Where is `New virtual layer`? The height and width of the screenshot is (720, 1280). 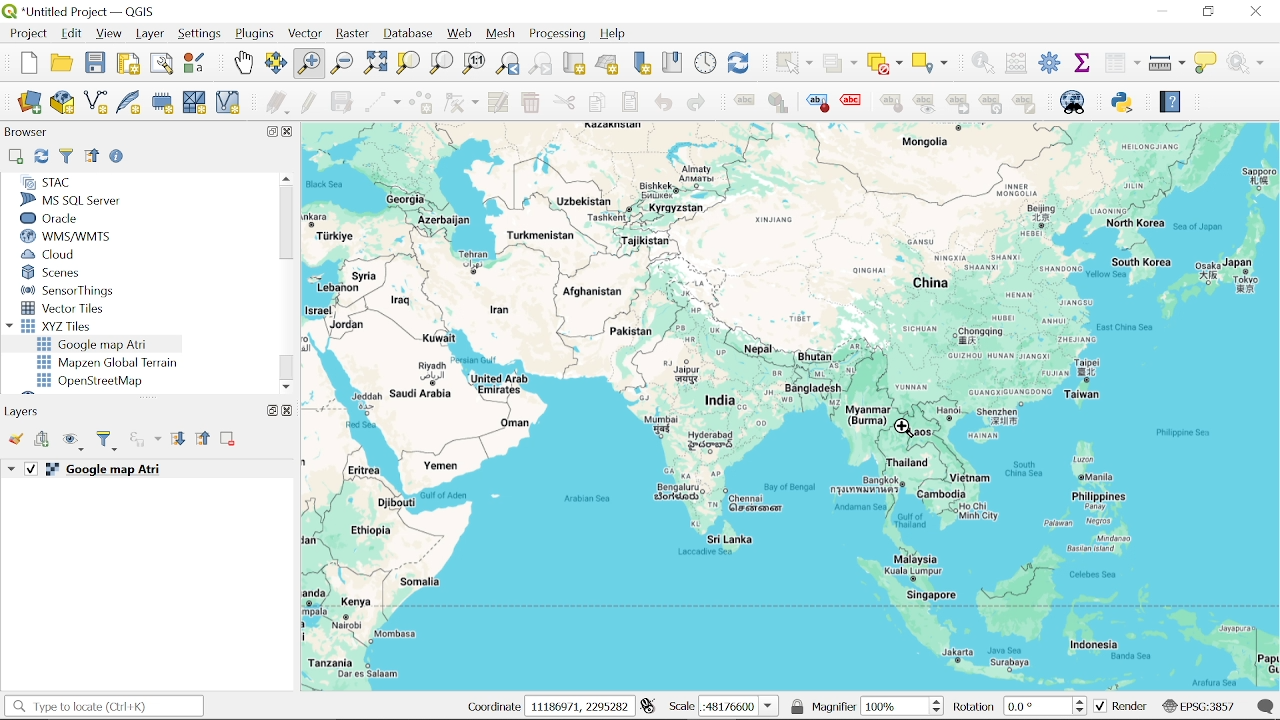
New virtual layer is located at coordinates (228, 104).